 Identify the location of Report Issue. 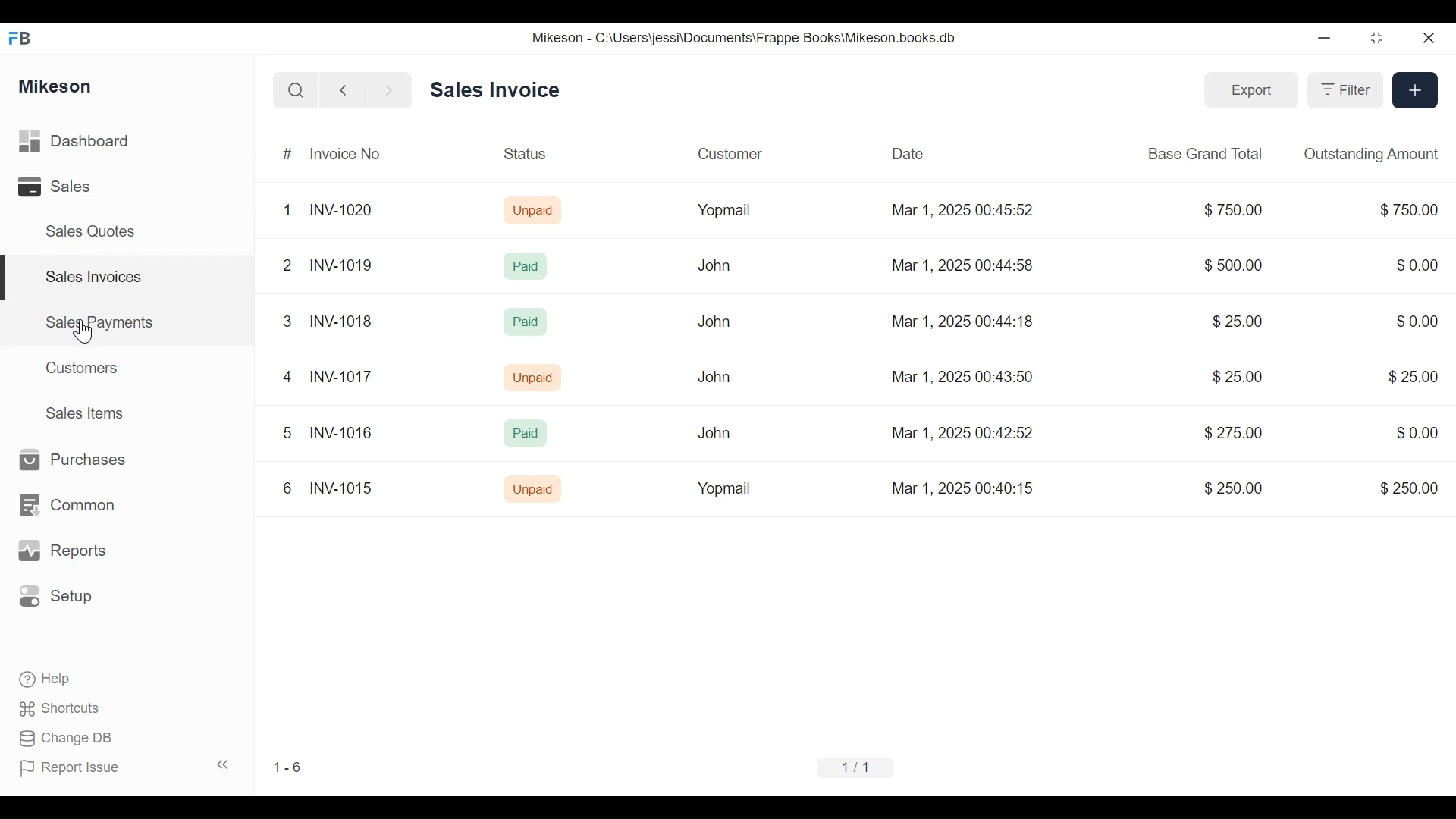
(77, 768).